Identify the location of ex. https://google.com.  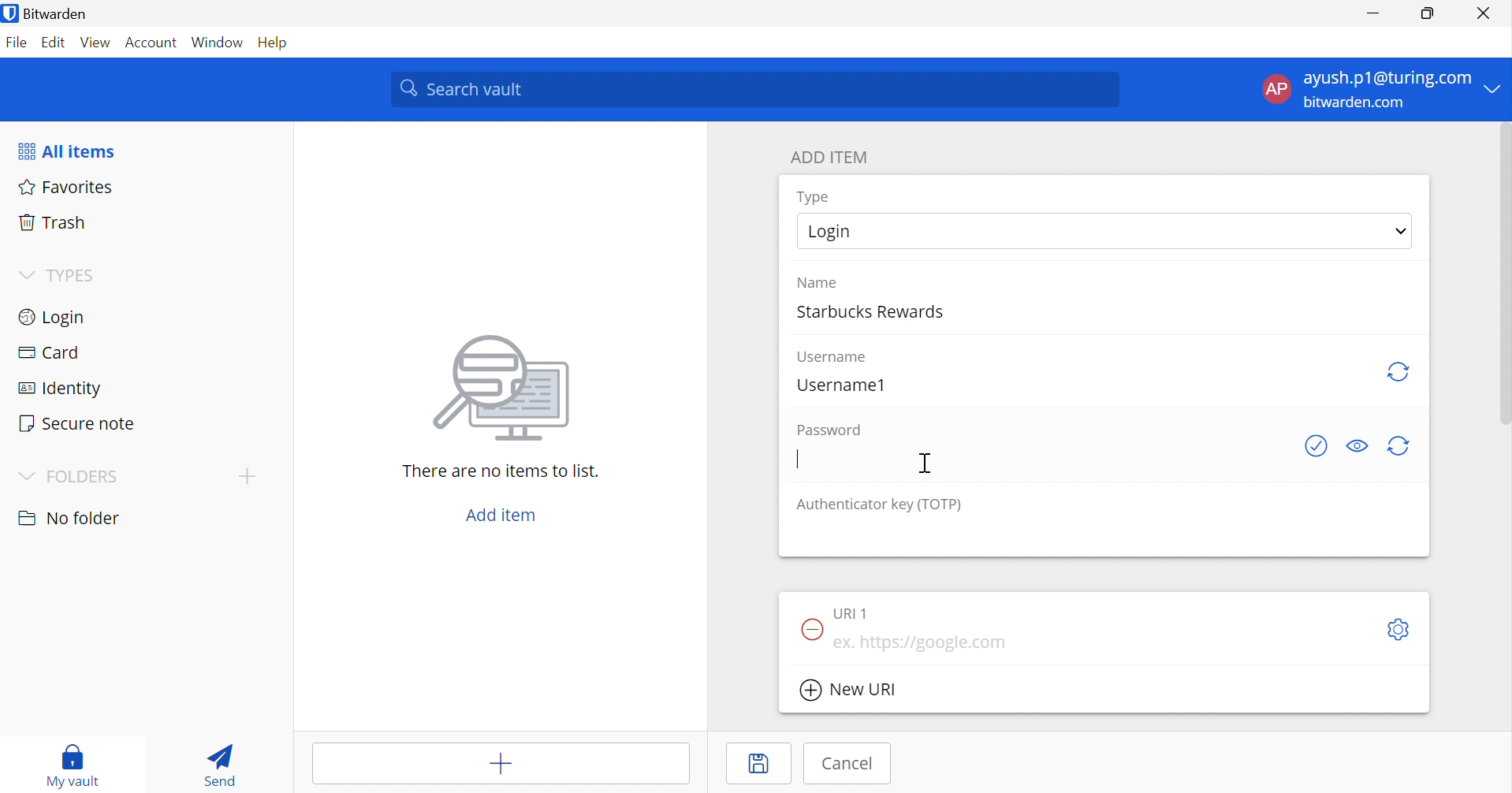
(931, 643).